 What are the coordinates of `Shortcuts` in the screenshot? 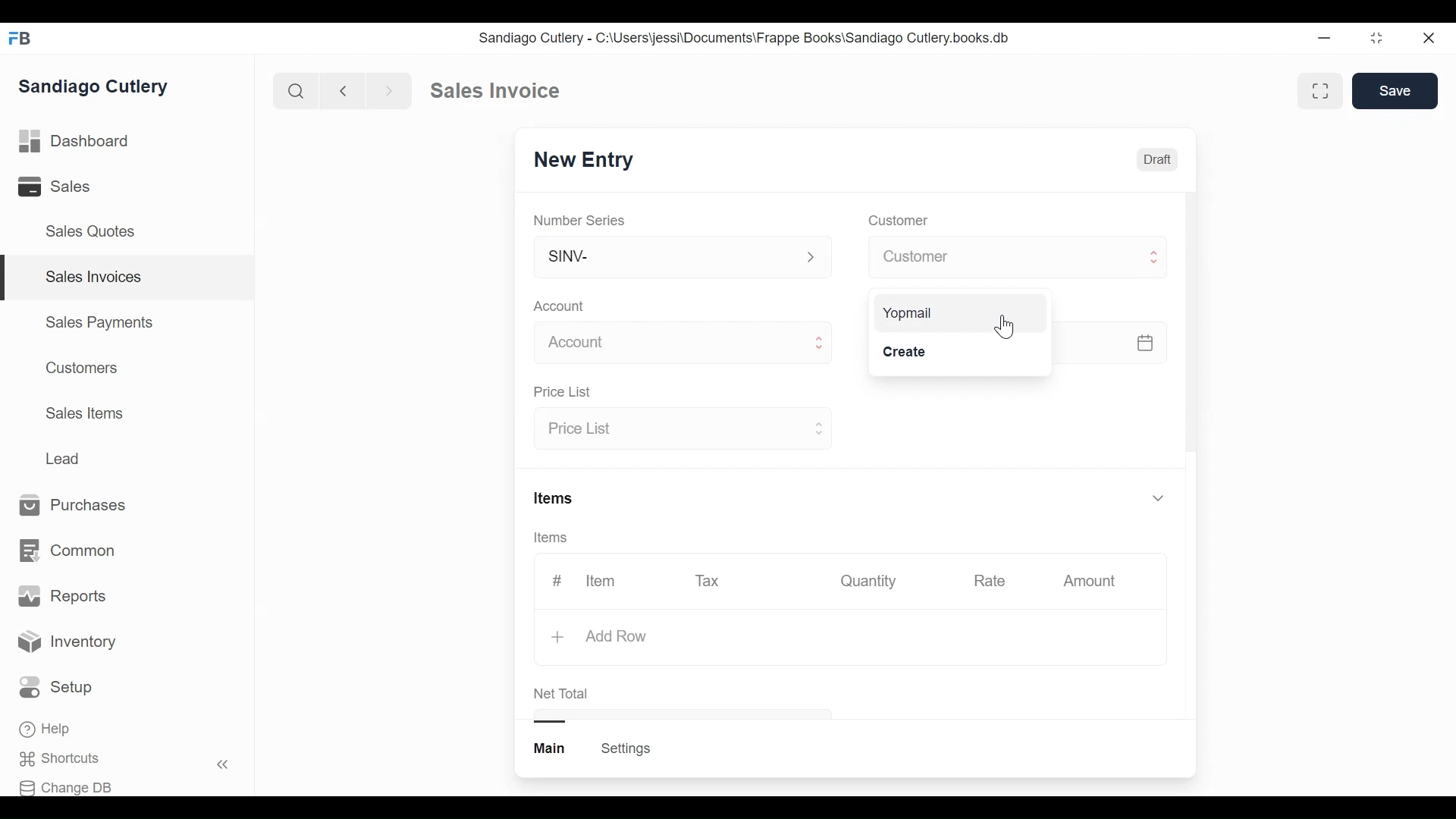 It's located at (65, 759).